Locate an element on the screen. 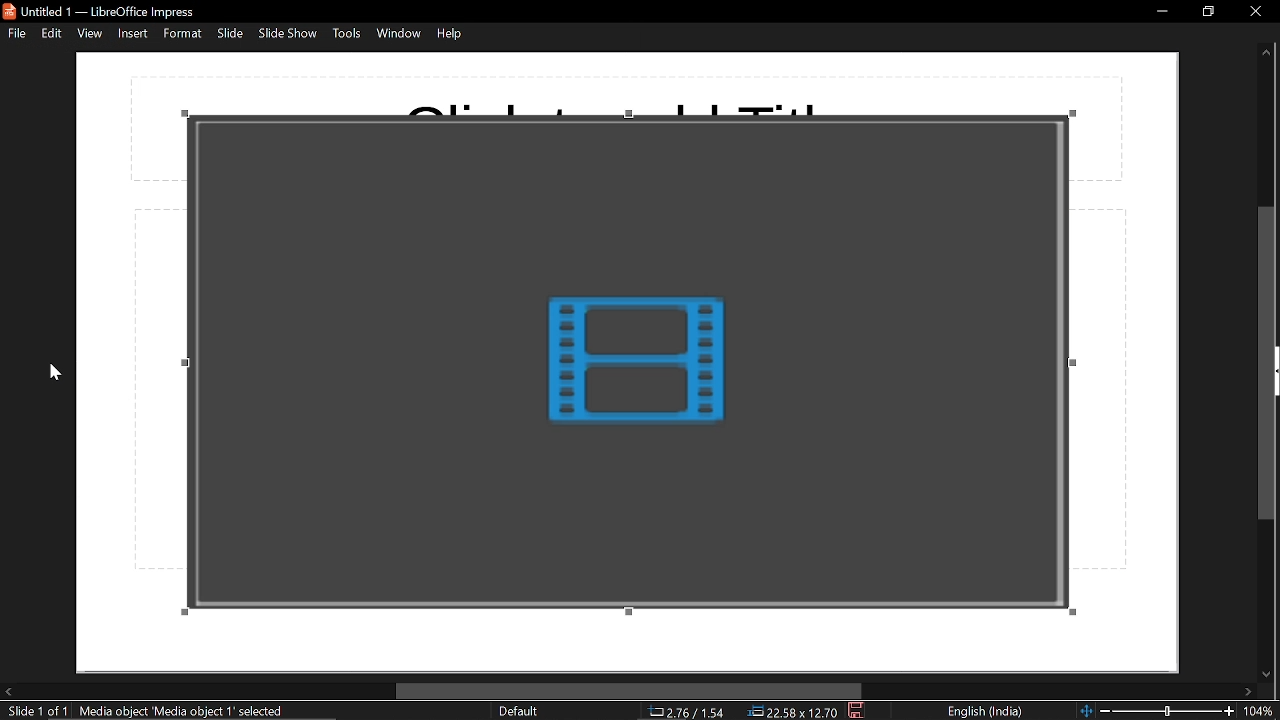 The image size is (1280, 720). edit is located at coordinates (52, 33).